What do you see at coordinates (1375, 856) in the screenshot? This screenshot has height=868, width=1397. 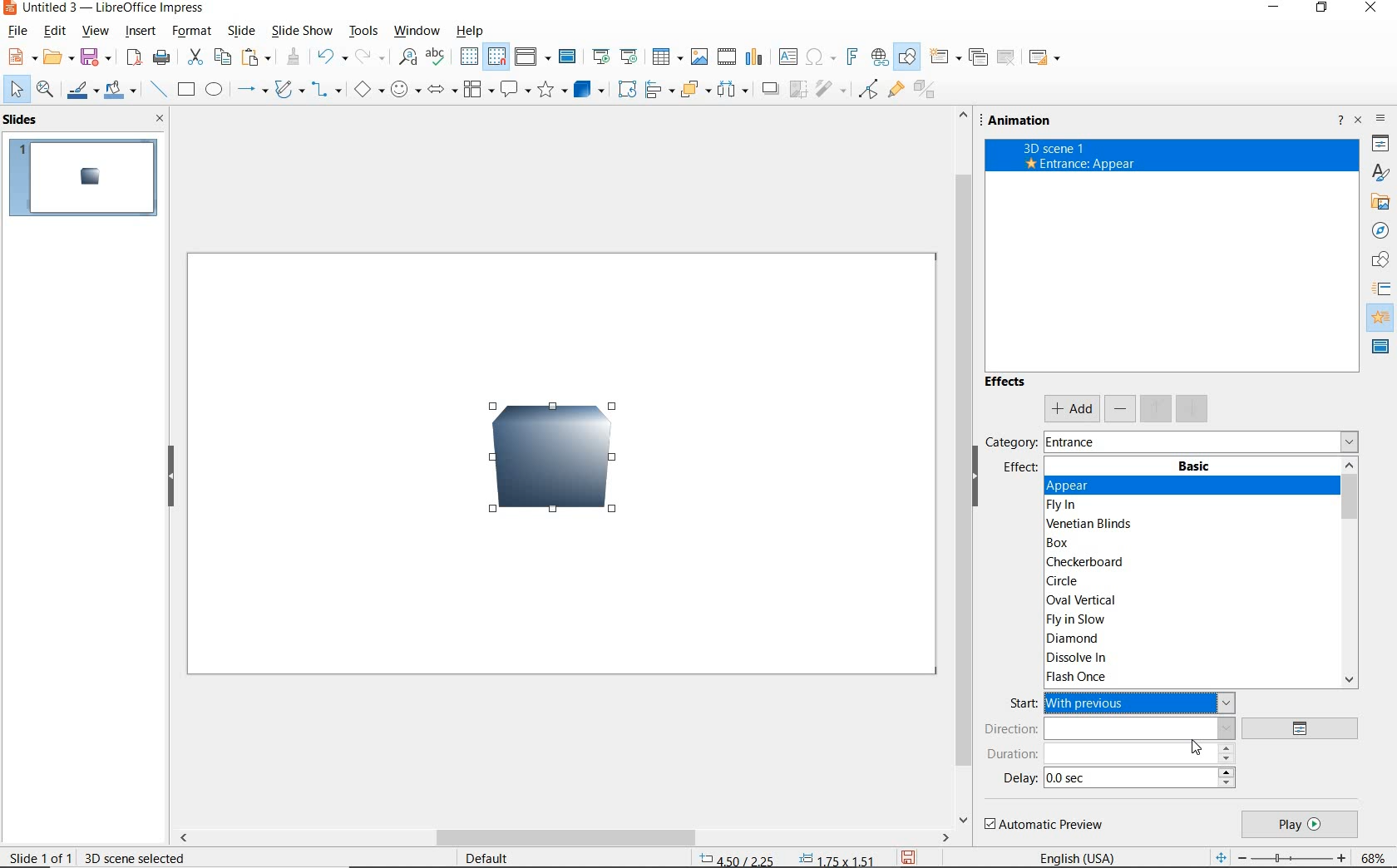 I see `zoom factor` at bounding box center [1375, 856].